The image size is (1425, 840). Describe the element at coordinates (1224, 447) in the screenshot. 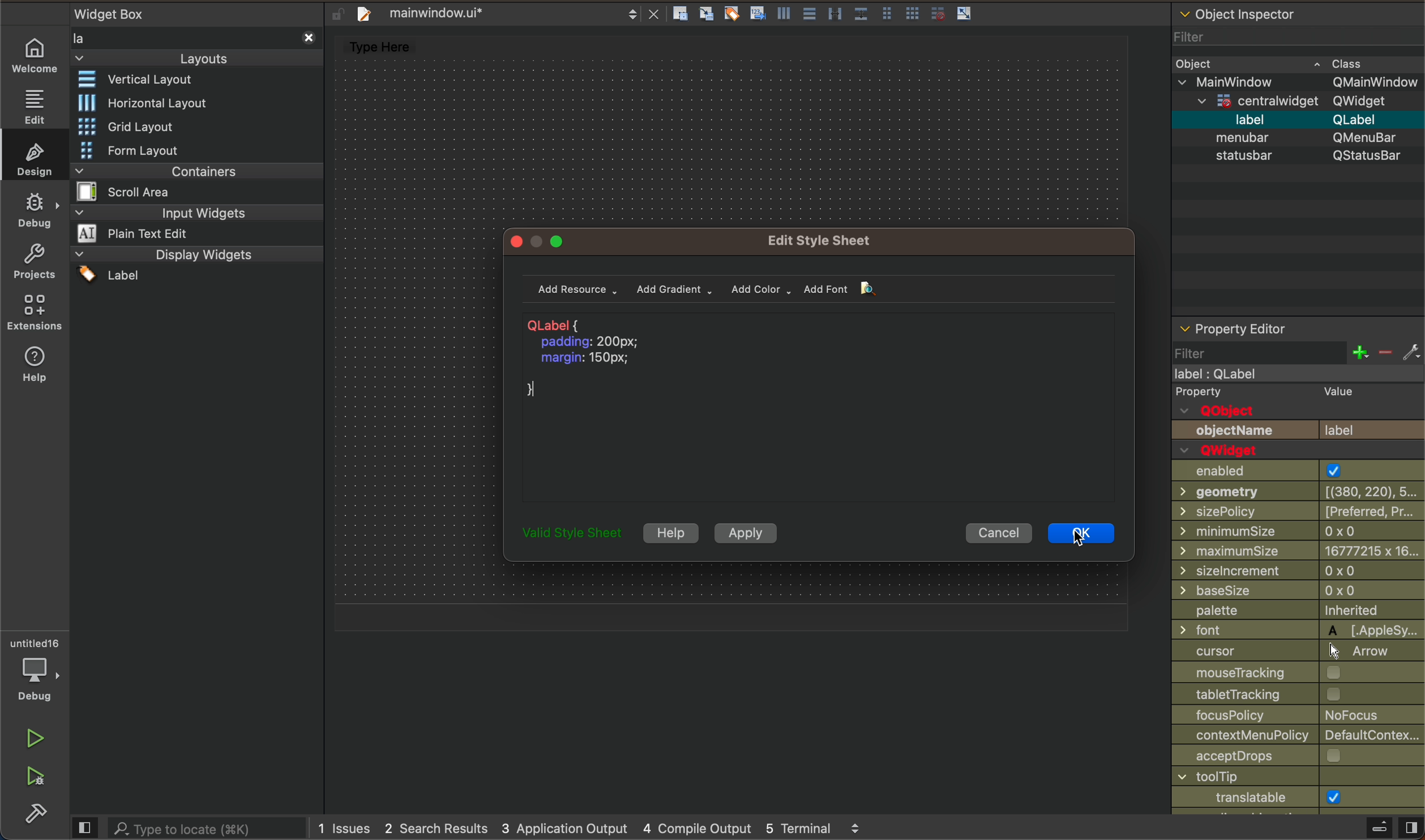

I see `qwidget` at that location.